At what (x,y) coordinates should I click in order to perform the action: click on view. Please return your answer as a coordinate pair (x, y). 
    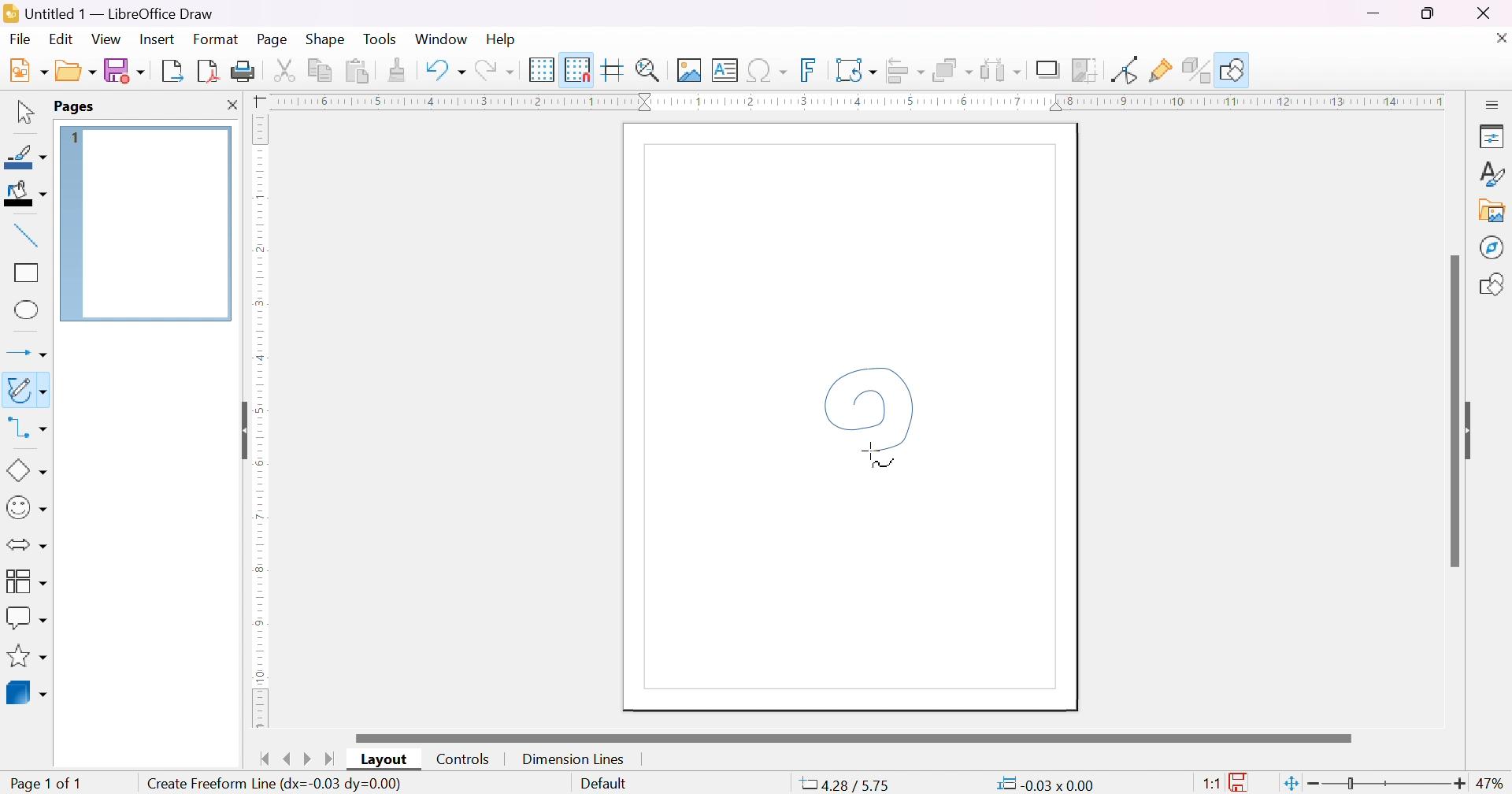
    Looking at the image, I should click on (106, 39).